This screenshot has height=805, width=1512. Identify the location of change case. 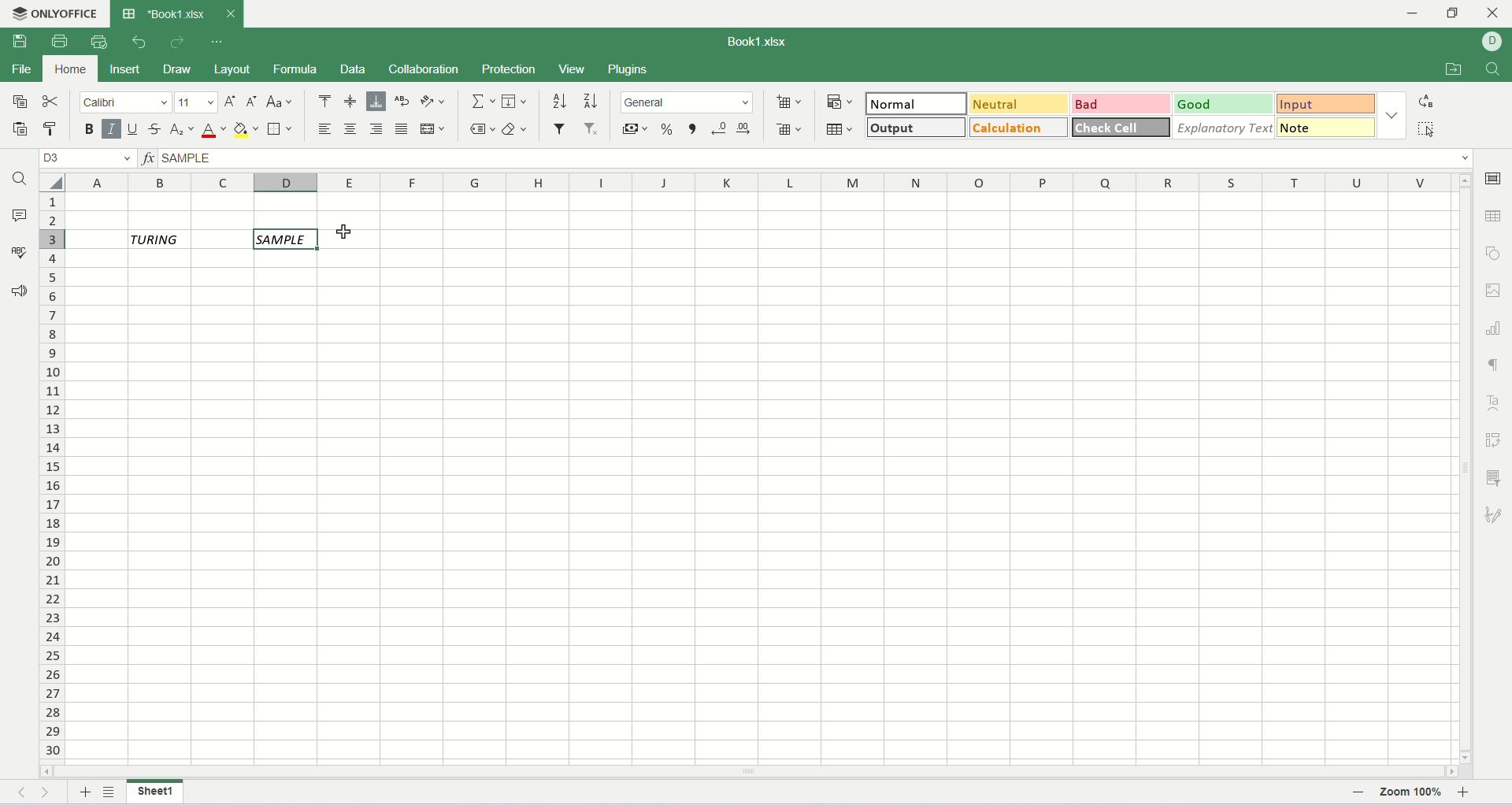
(279, 101).